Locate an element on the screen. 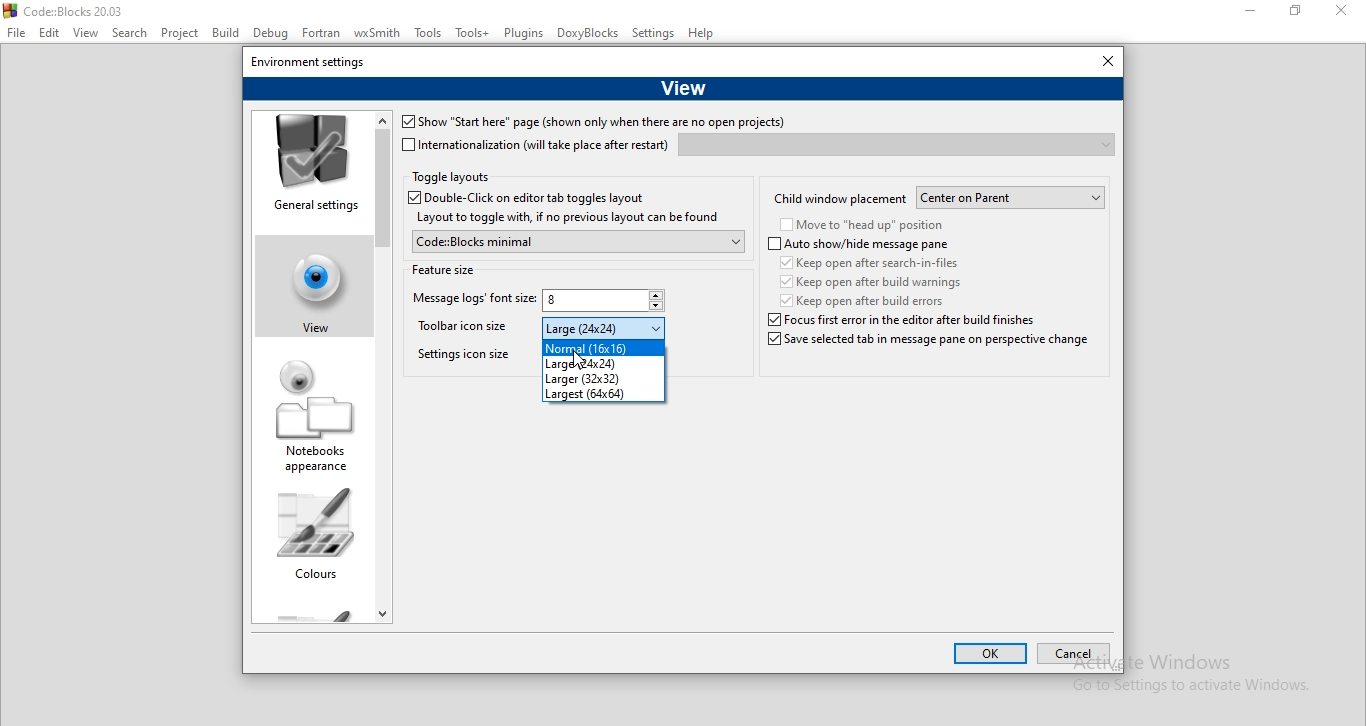 The image size is (1366, 726). Tools is located at coordinates (430, 36).